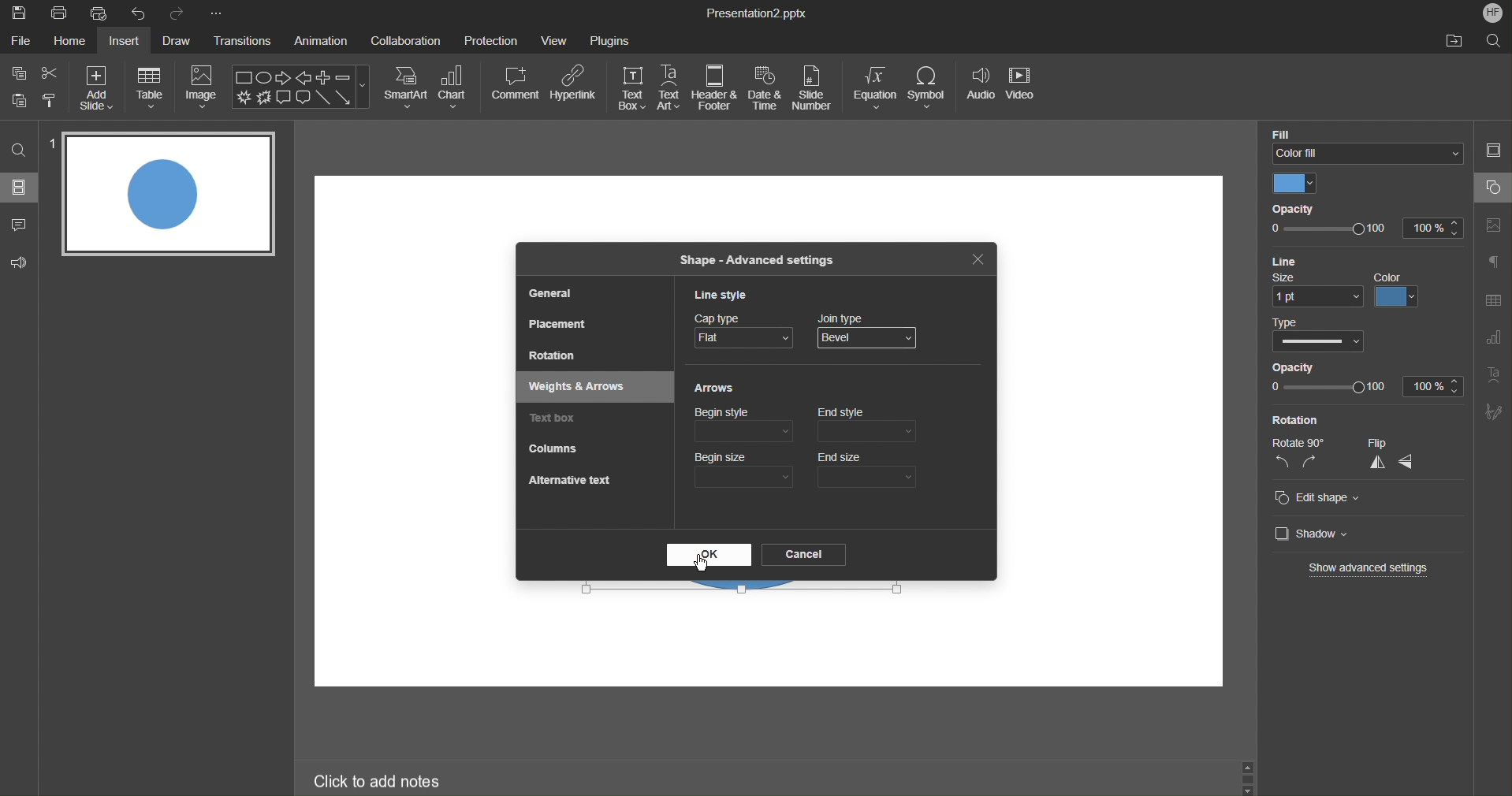 The image size is (1512, 796). What do you see at coordinates (244, 43) in the screenshot?
I see `Transitions` at bounding box center [244, 43].